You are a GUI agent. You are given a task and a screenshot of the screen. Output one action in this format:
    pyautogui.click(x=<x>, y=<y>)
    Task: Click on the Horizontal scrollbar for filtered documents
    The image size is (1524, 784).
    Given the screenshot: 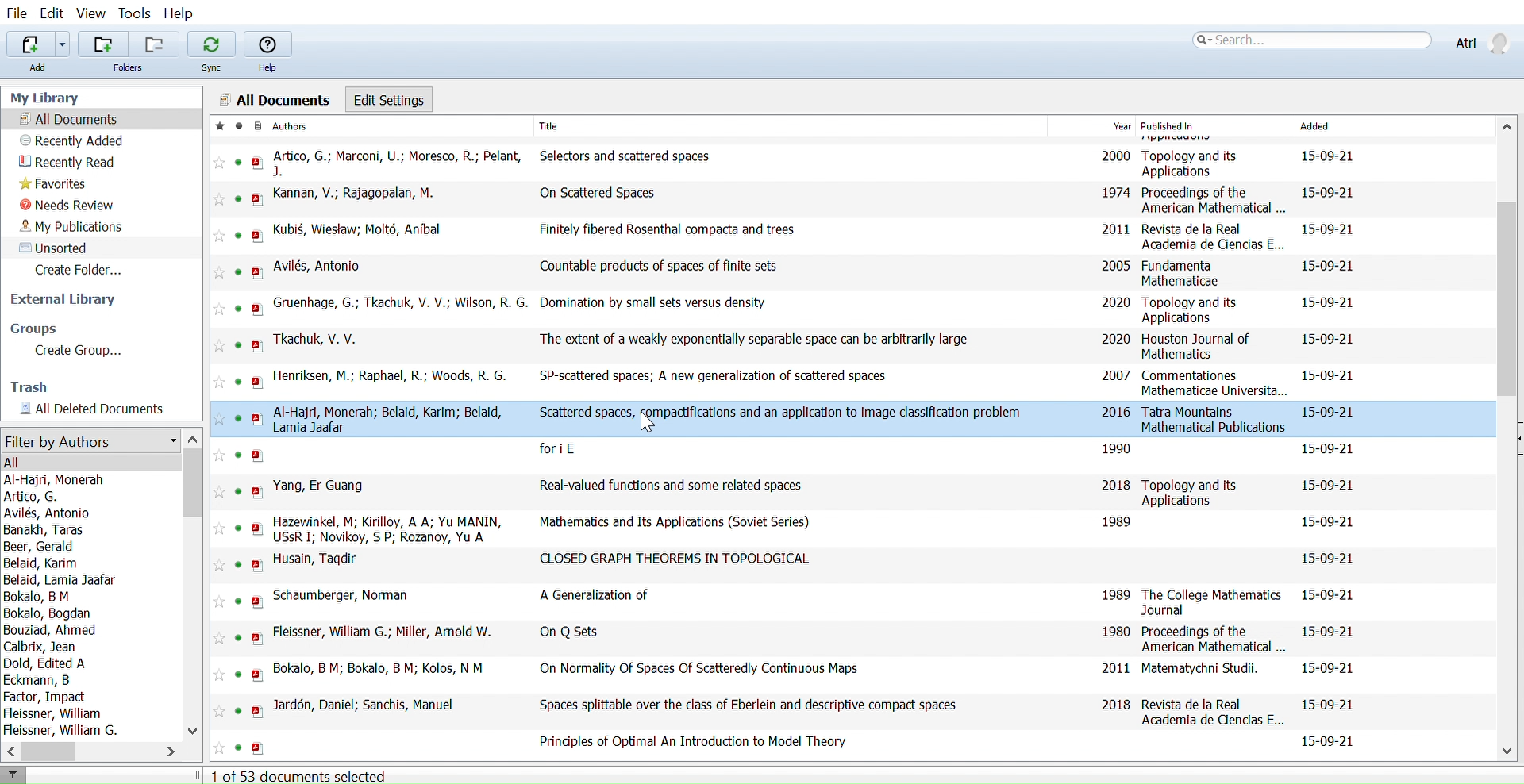 What is the action you would take?
    pyautogui.click(x=48, y=751)
    